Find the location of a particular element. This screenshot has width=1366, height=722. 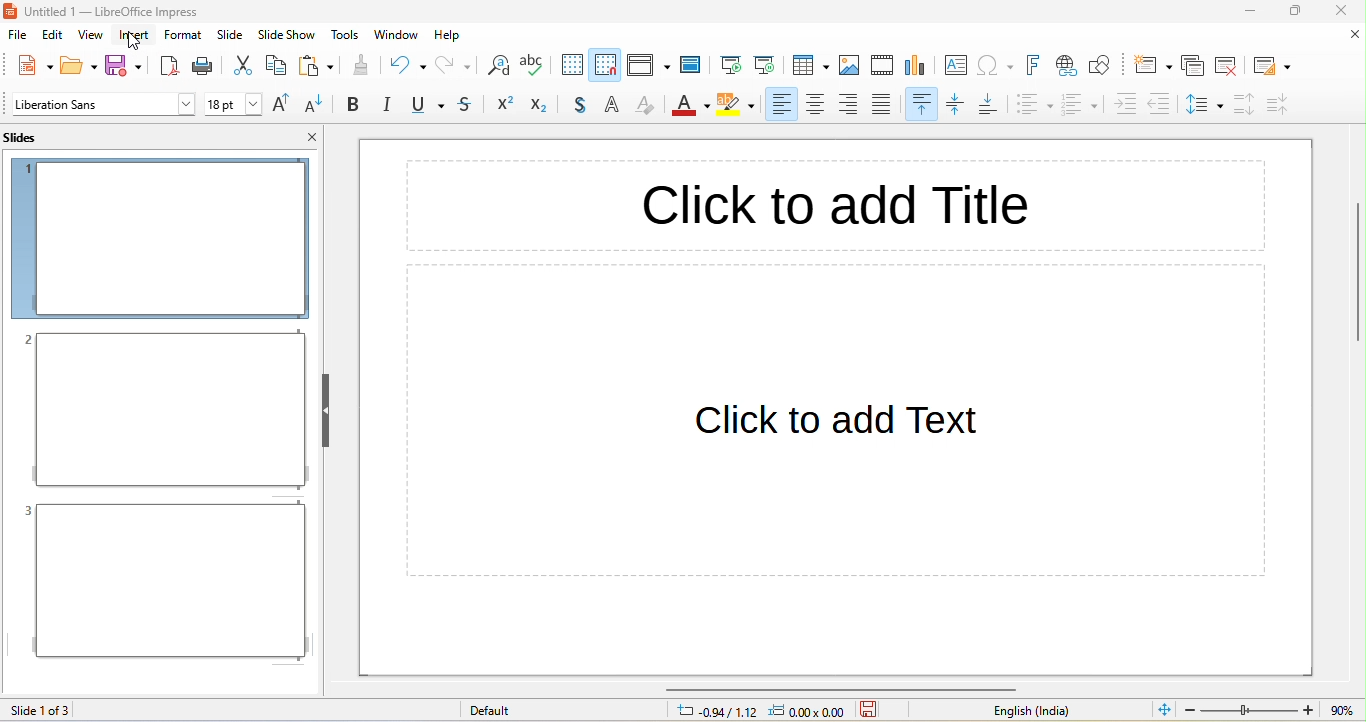

window is located at coordinates (397, 34).